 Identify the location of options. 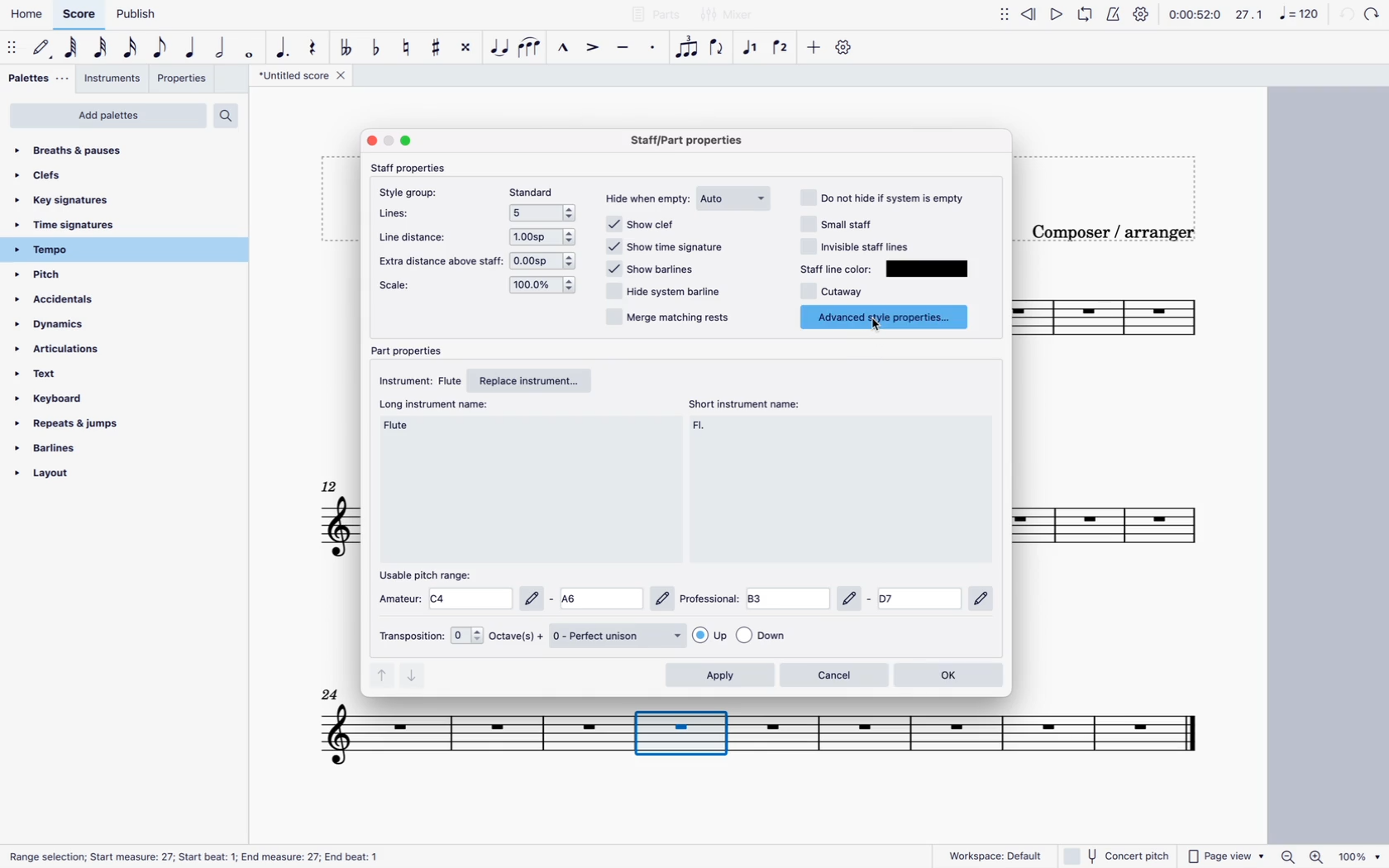
(546, 262).